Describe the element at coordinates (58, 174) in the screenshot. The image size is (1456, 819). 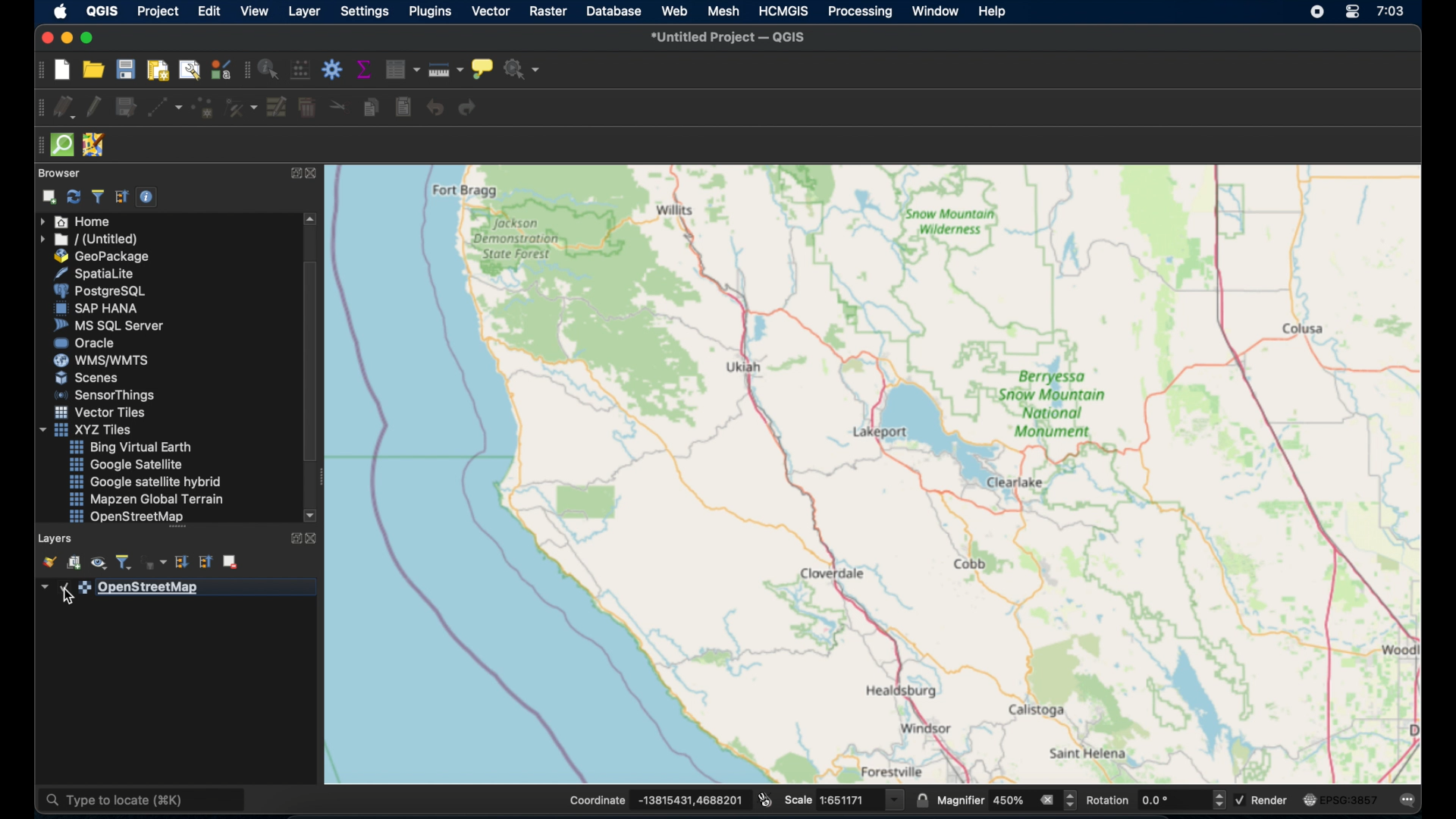
I see `browser` at that location.